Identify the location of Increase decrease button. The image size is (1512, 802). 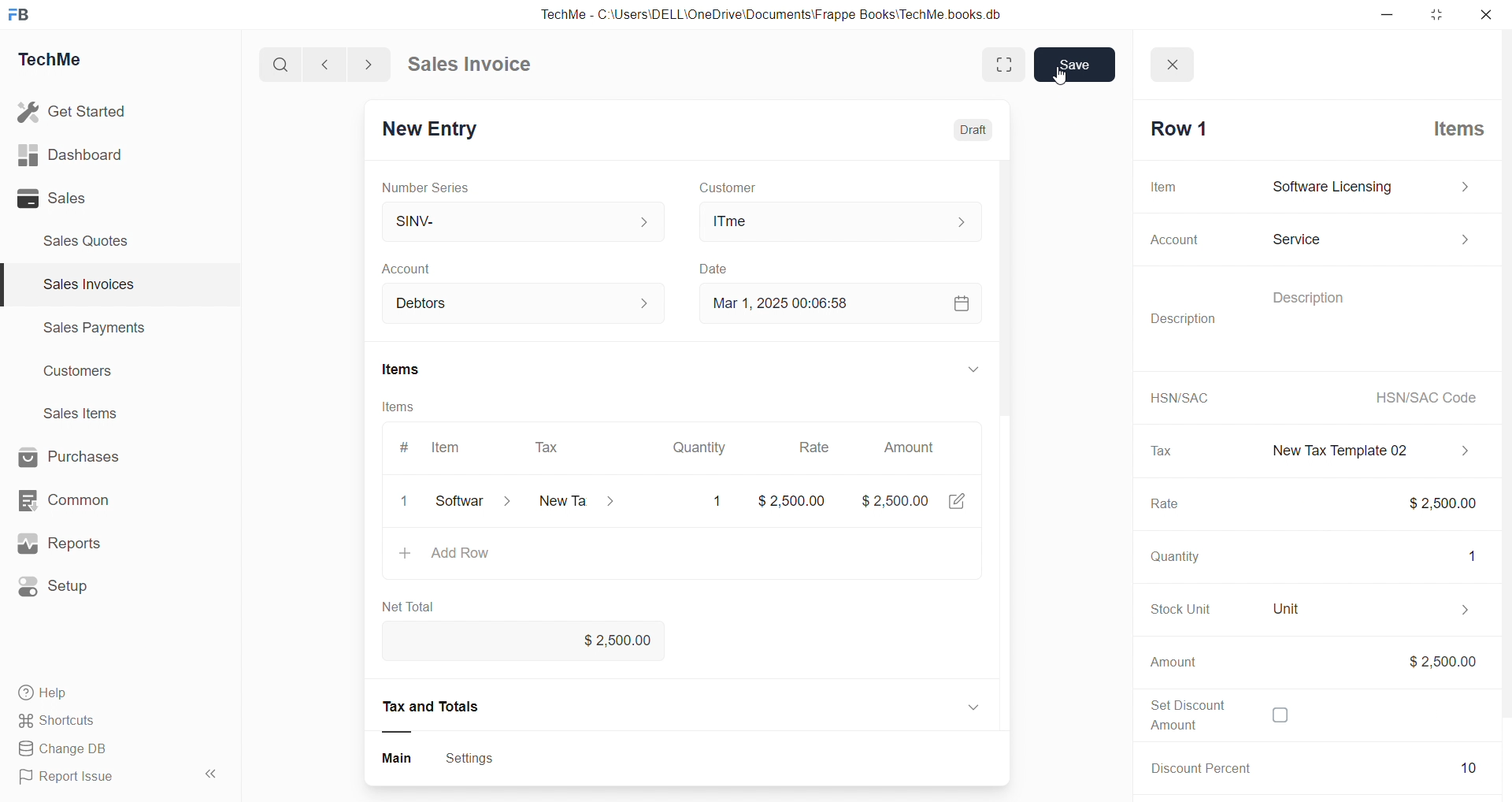
(644, 302).